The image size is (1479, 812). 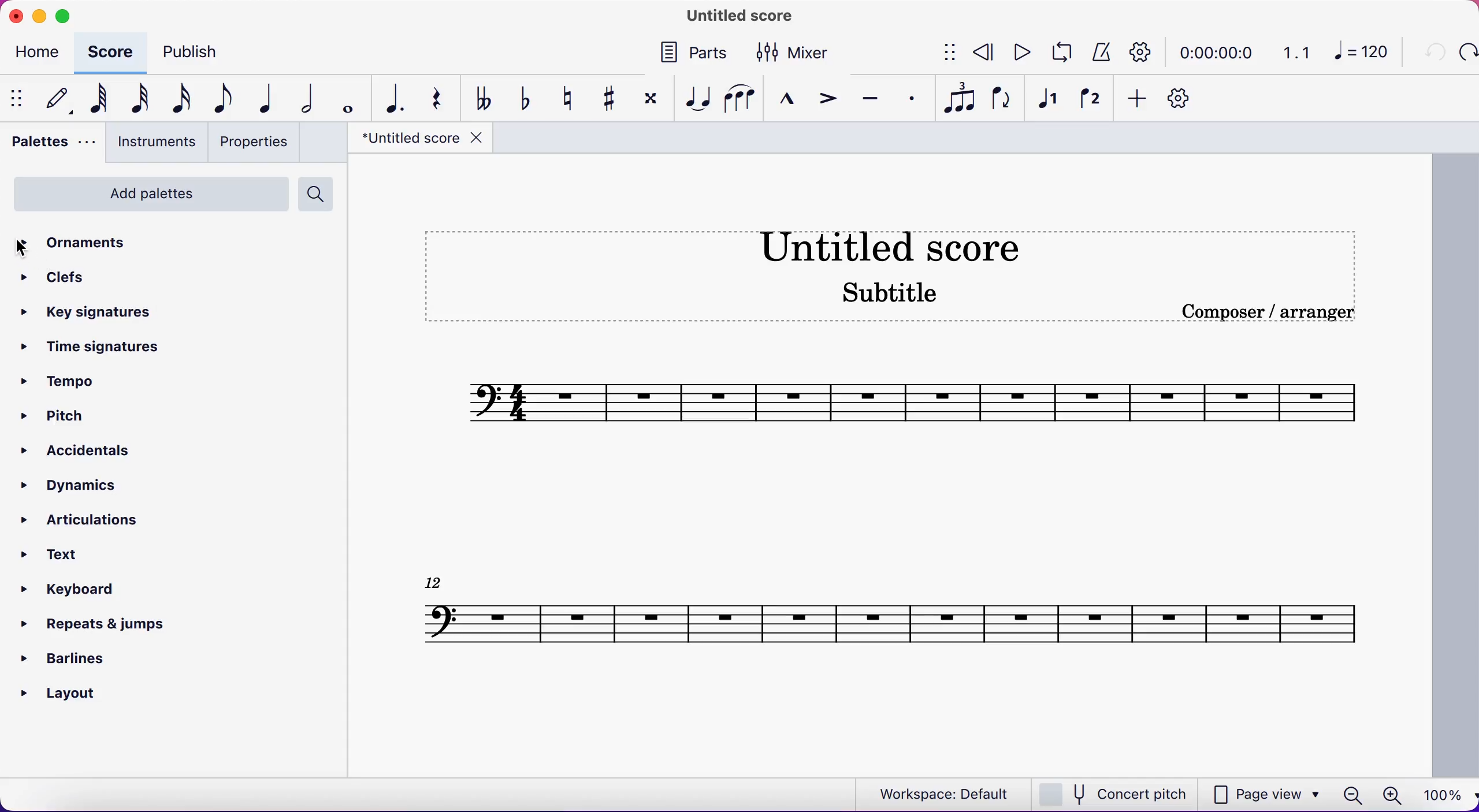 I want to click on title, so click(x=418, y=141).